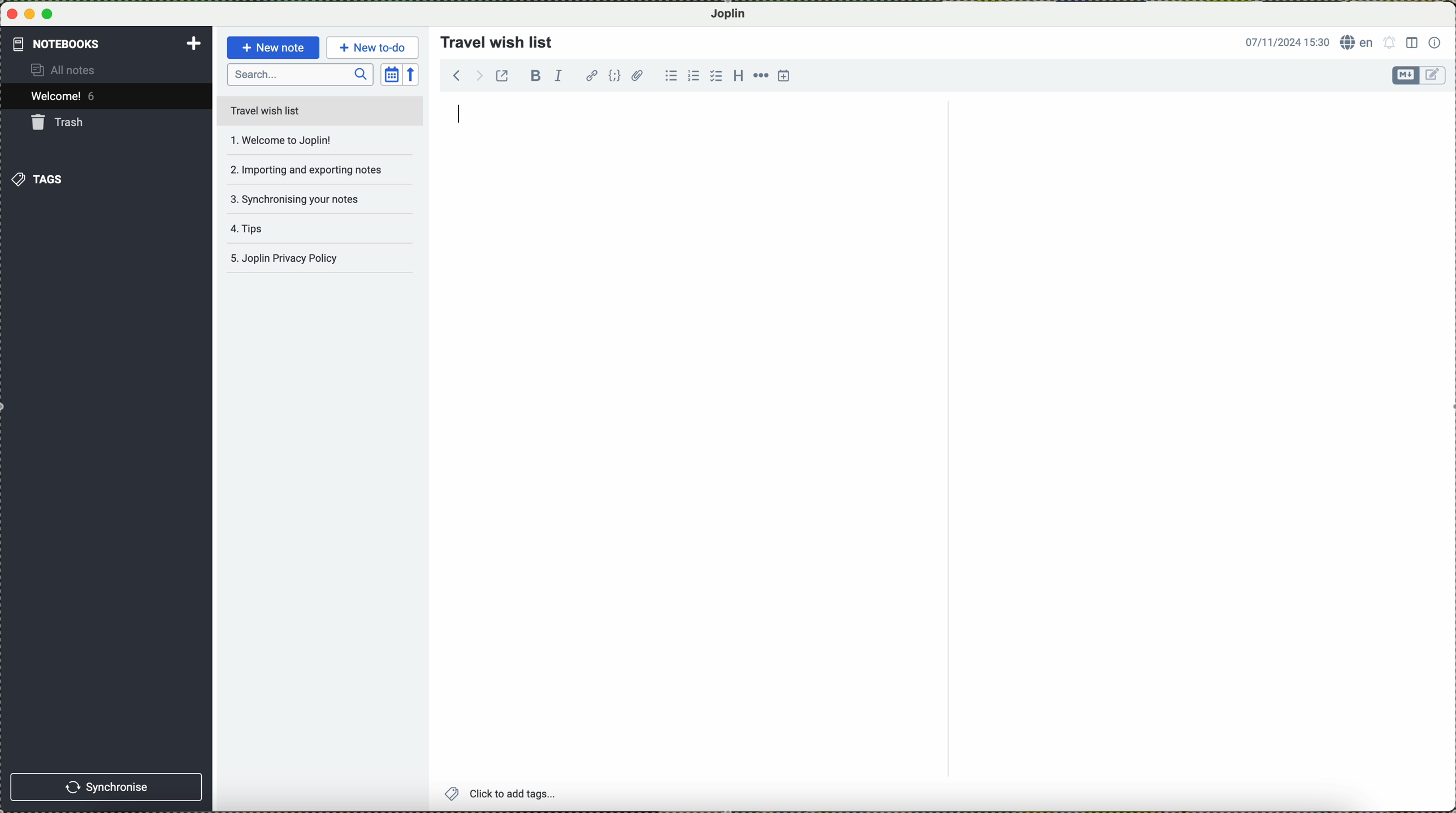 Image resolution: width=1456 pixels, height=813 pixels. I want to click on tags, so click(39, 179).